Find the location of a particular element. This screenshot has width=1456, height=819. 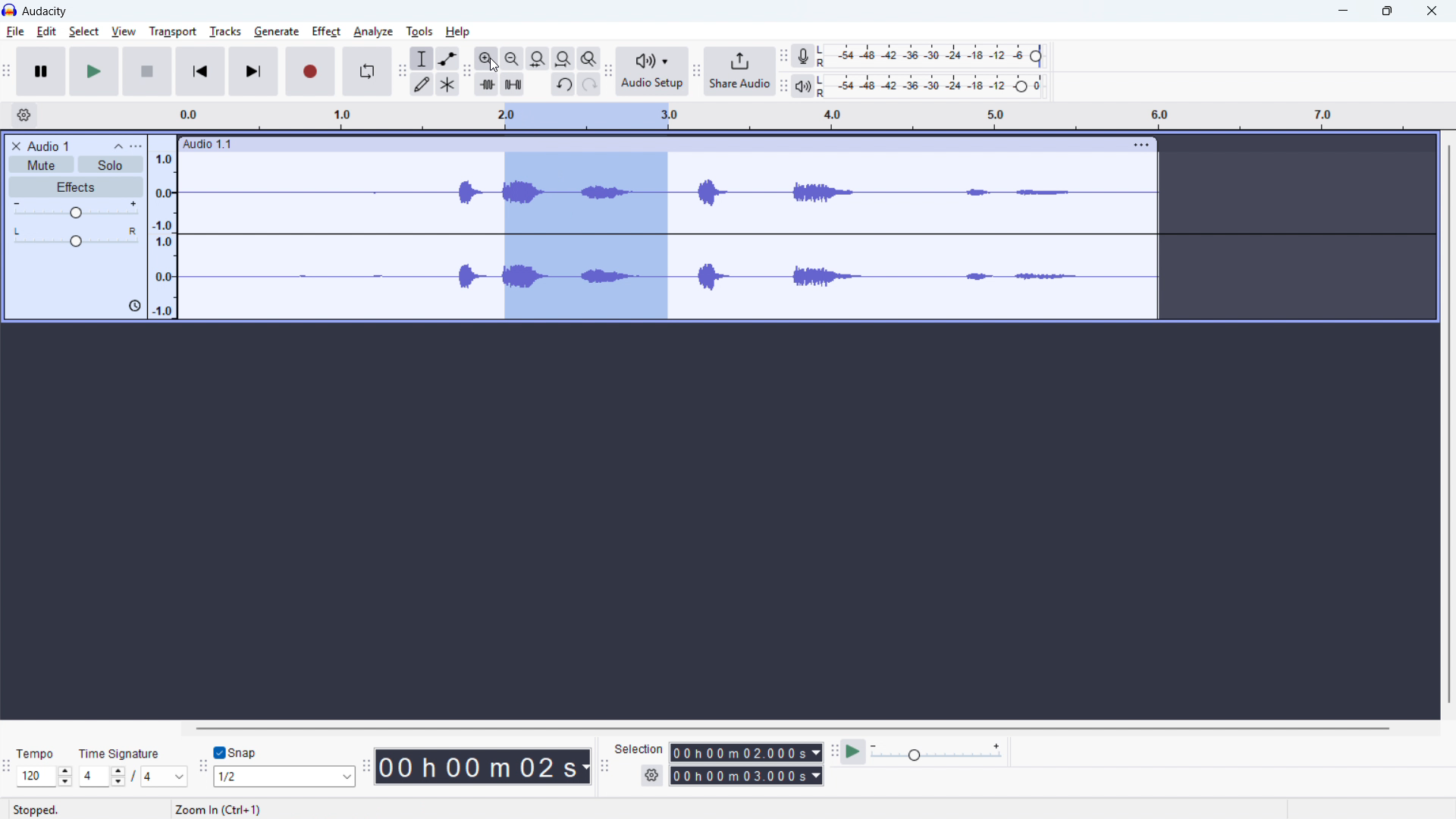

playback metre is located at coordinates (802, 86).